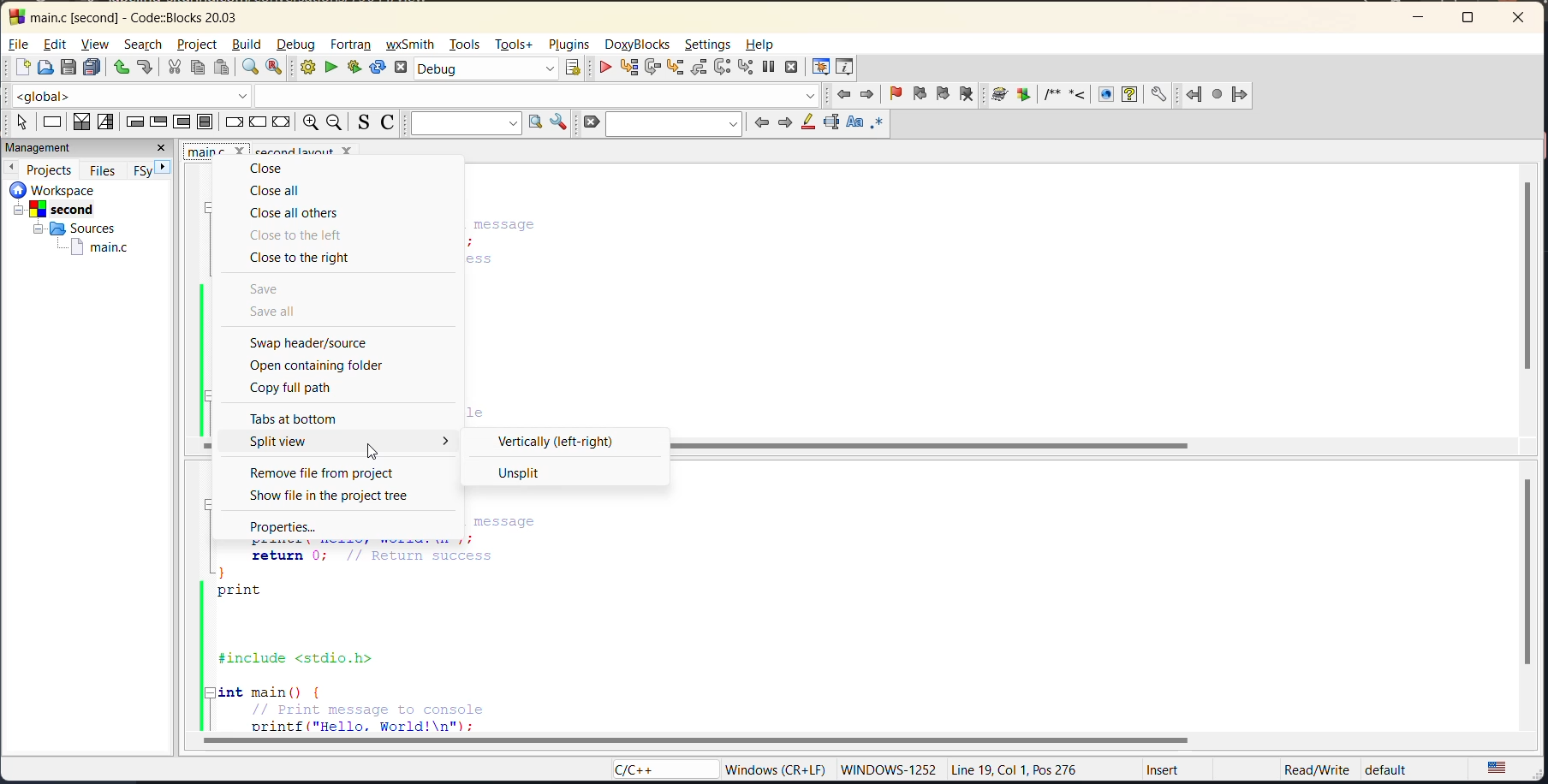  What do you see at coordinates (92, 247) in the screenshot?
I see `main.c` at bounding box center [92, 247].